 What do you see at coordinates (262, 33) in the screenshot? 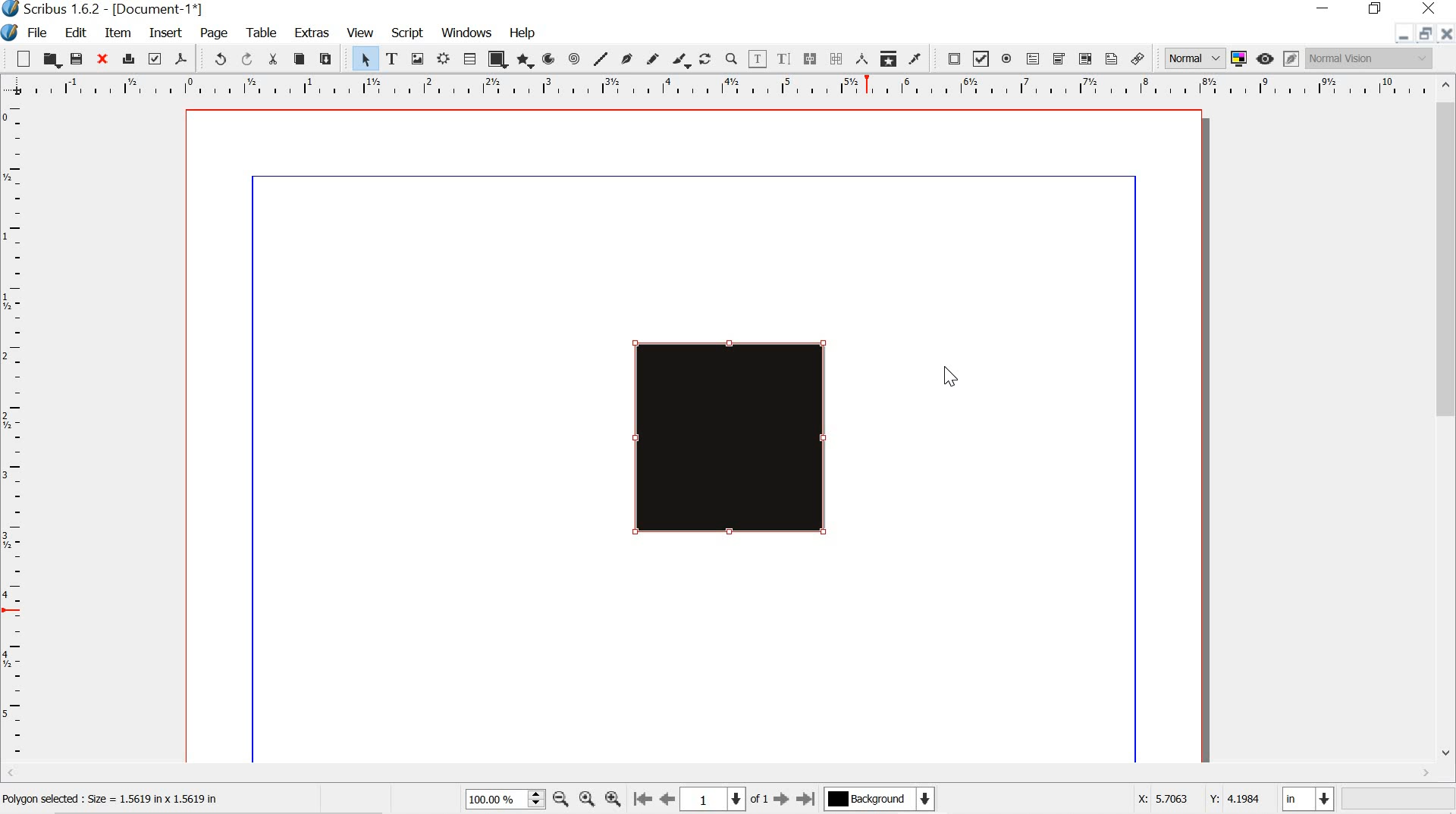
I see `table` at bounding box center [262, 33].